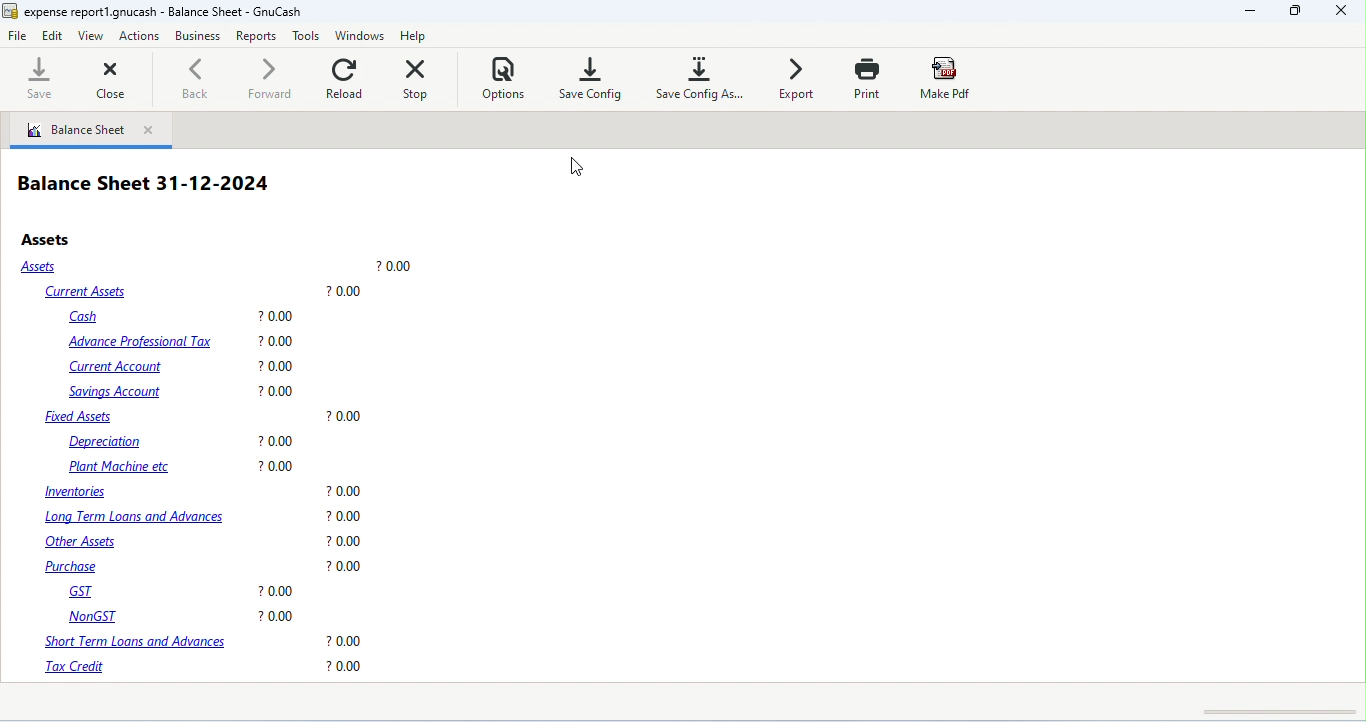 The width and height of the screenshot is (1366, 722). Describe the element at coordinates (92, 35) in the screenshot. I see `view` at that location.